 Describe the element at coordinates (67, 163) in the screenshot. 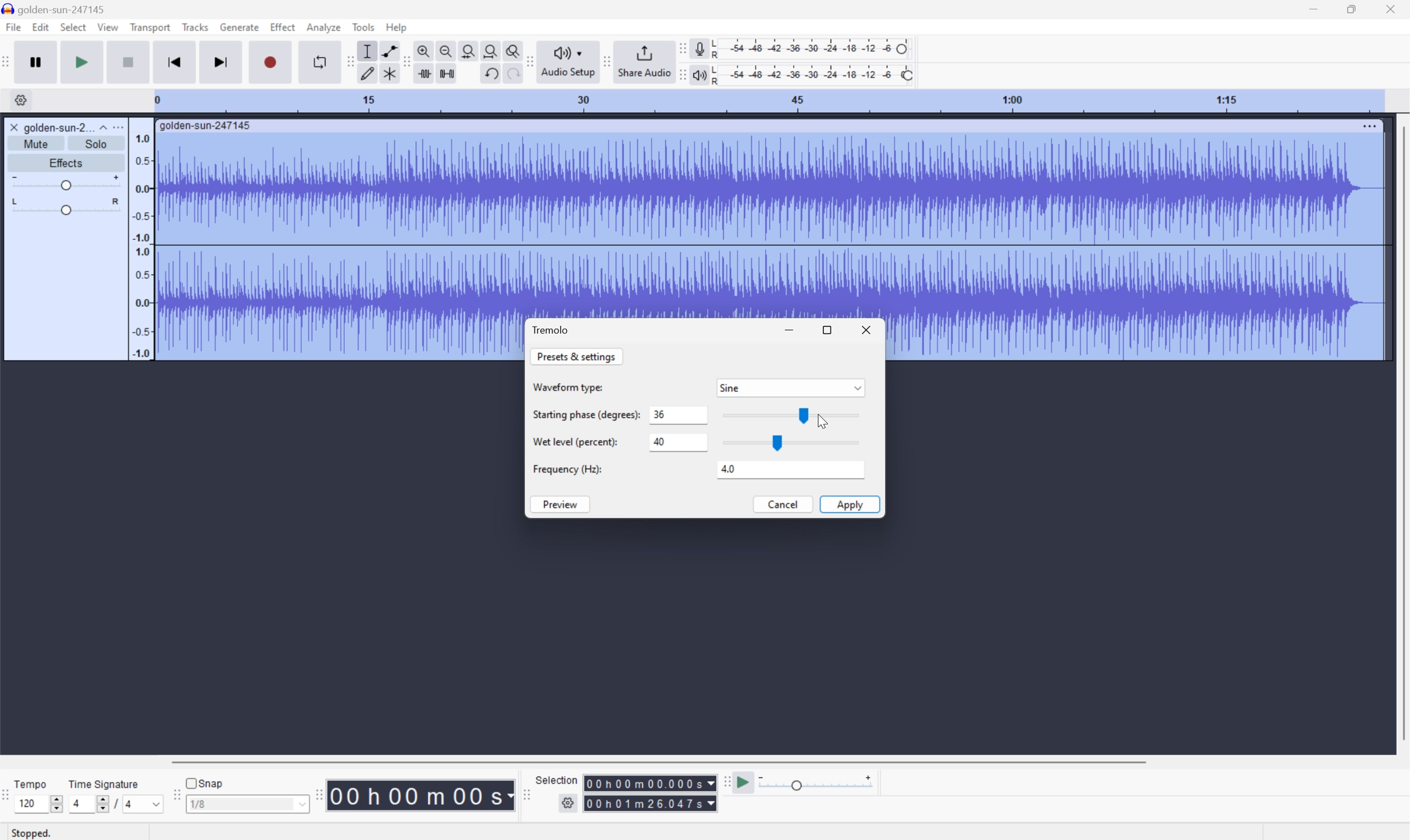

I see `Effects` at that location.